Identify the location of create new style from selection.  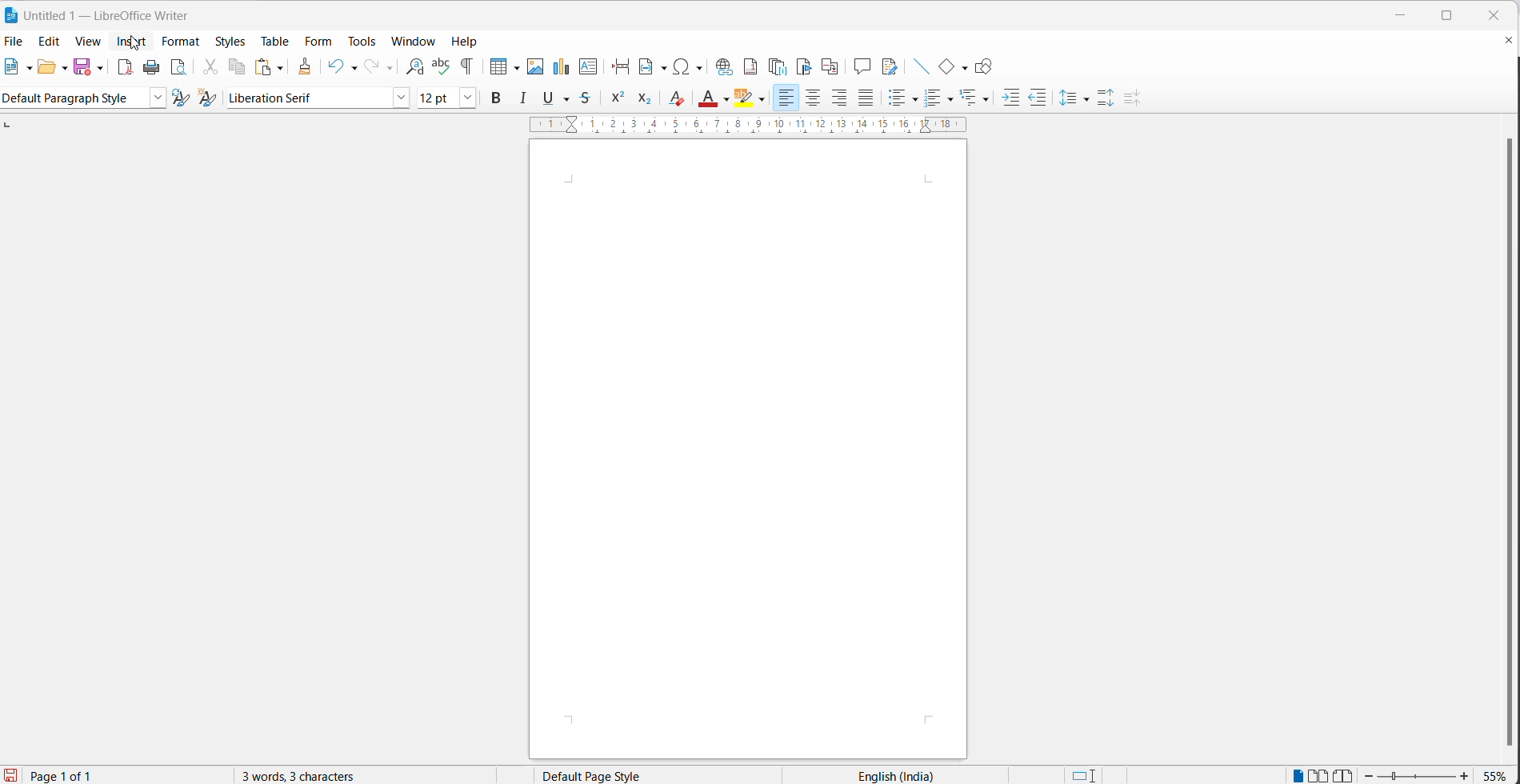
(208, 96).